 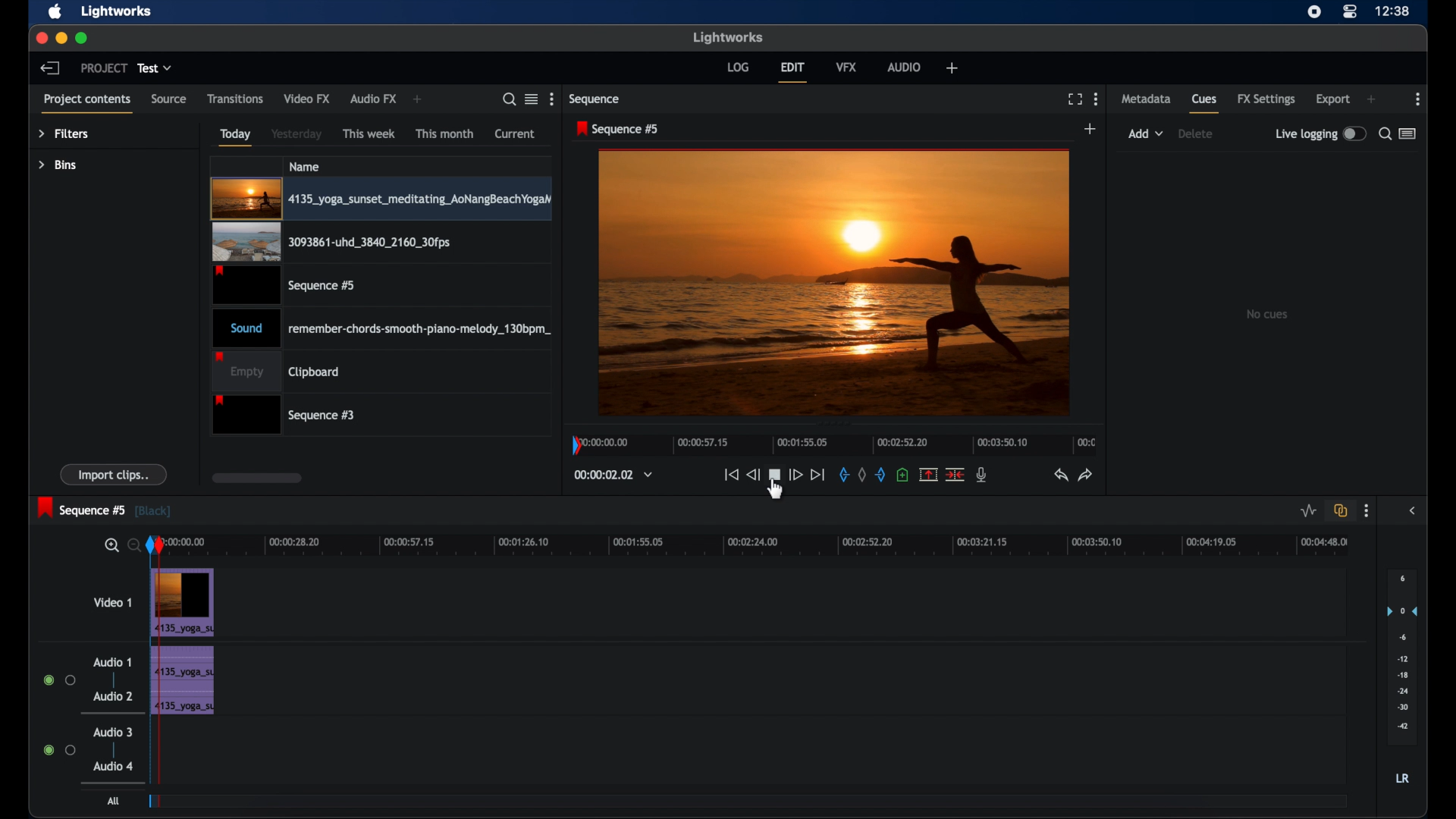 What do you see at coordinates (181, 603) in the screenshot?
I see `Video Clip` at bounding box center [181, 603].